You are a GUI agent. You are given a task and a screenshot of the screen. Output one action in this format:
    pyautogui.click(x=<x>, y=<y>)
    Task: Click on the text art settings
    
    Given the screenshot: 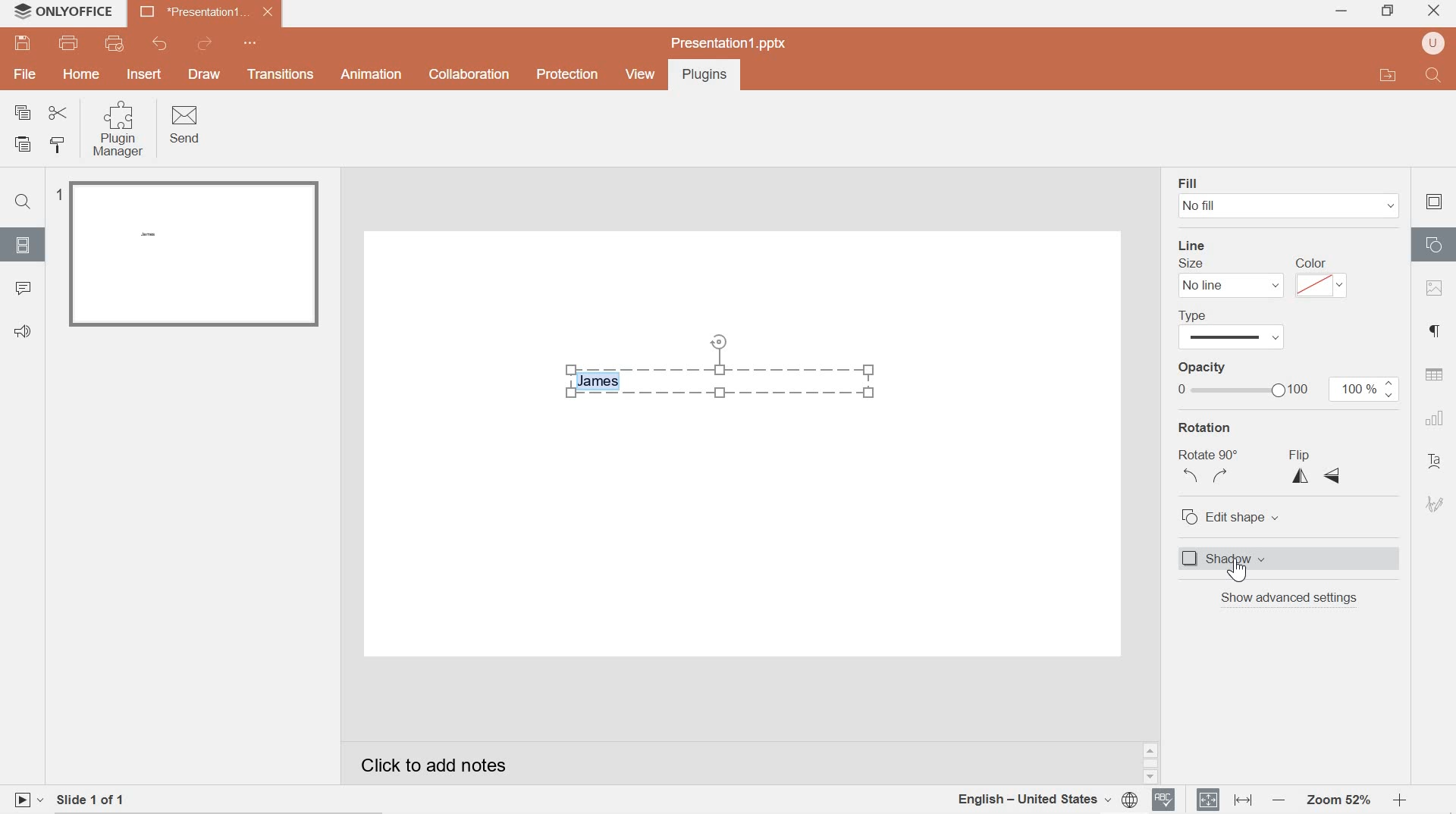 What is the action you would take?
    pyautogui.click(x=1438, y=463)
    